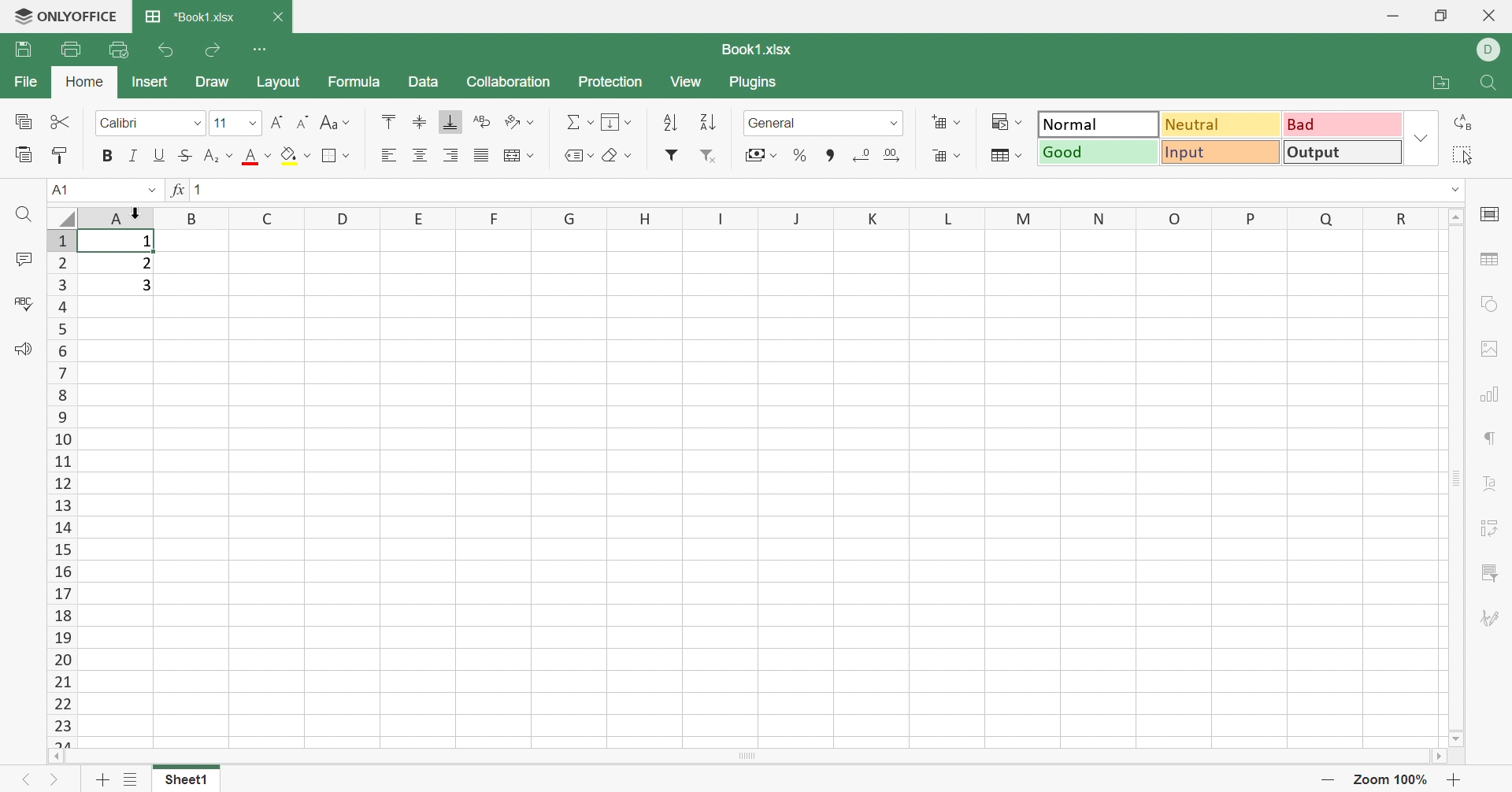 Image resolution: width=1512 pixels, height=792 pixels. What do you see at coordinates (188, 15) in the screenshot?
I see `*Book1.xlsx` at bounding box center [188, 15].